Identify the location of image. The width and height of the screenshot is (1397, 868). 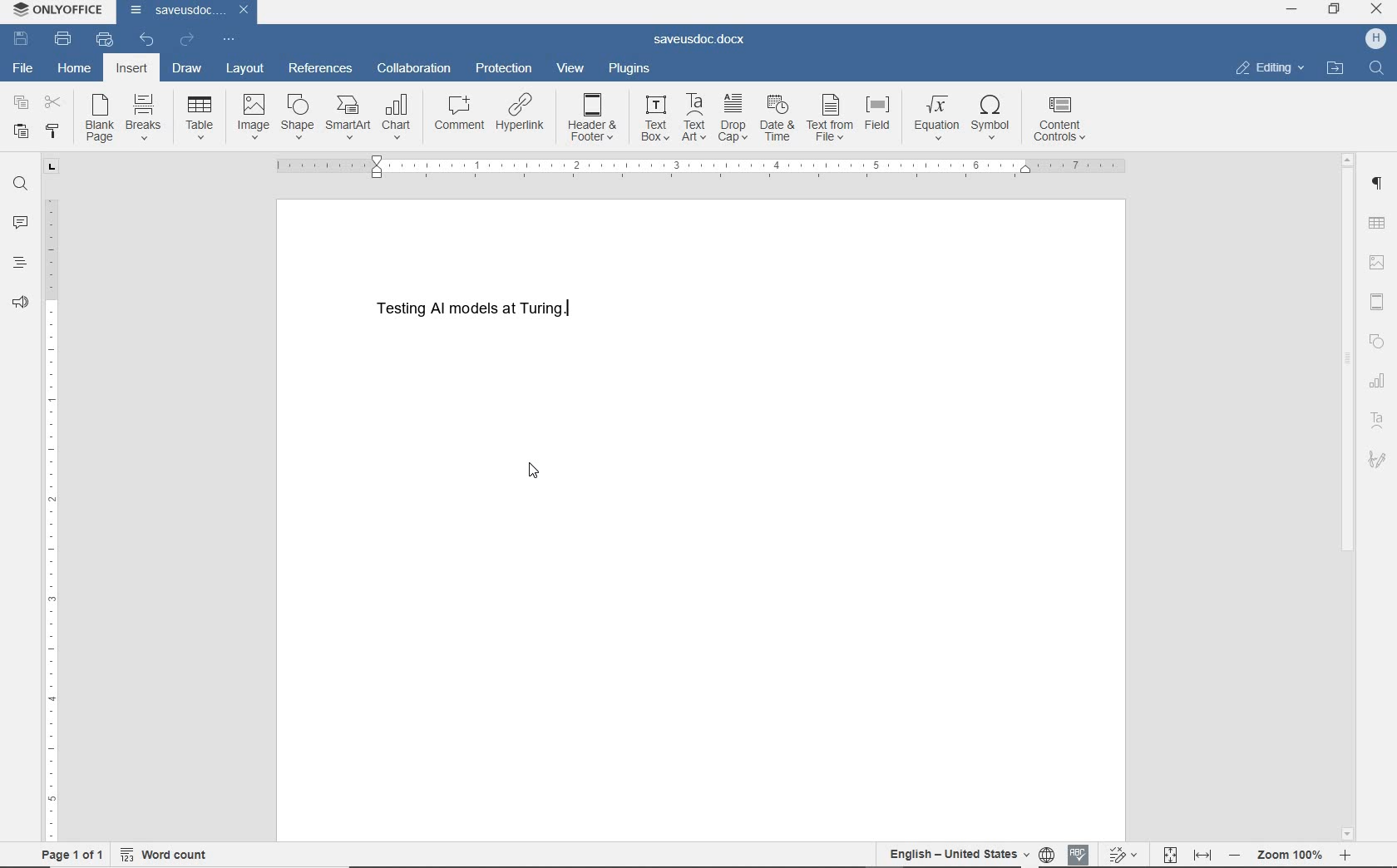
(253, 118).